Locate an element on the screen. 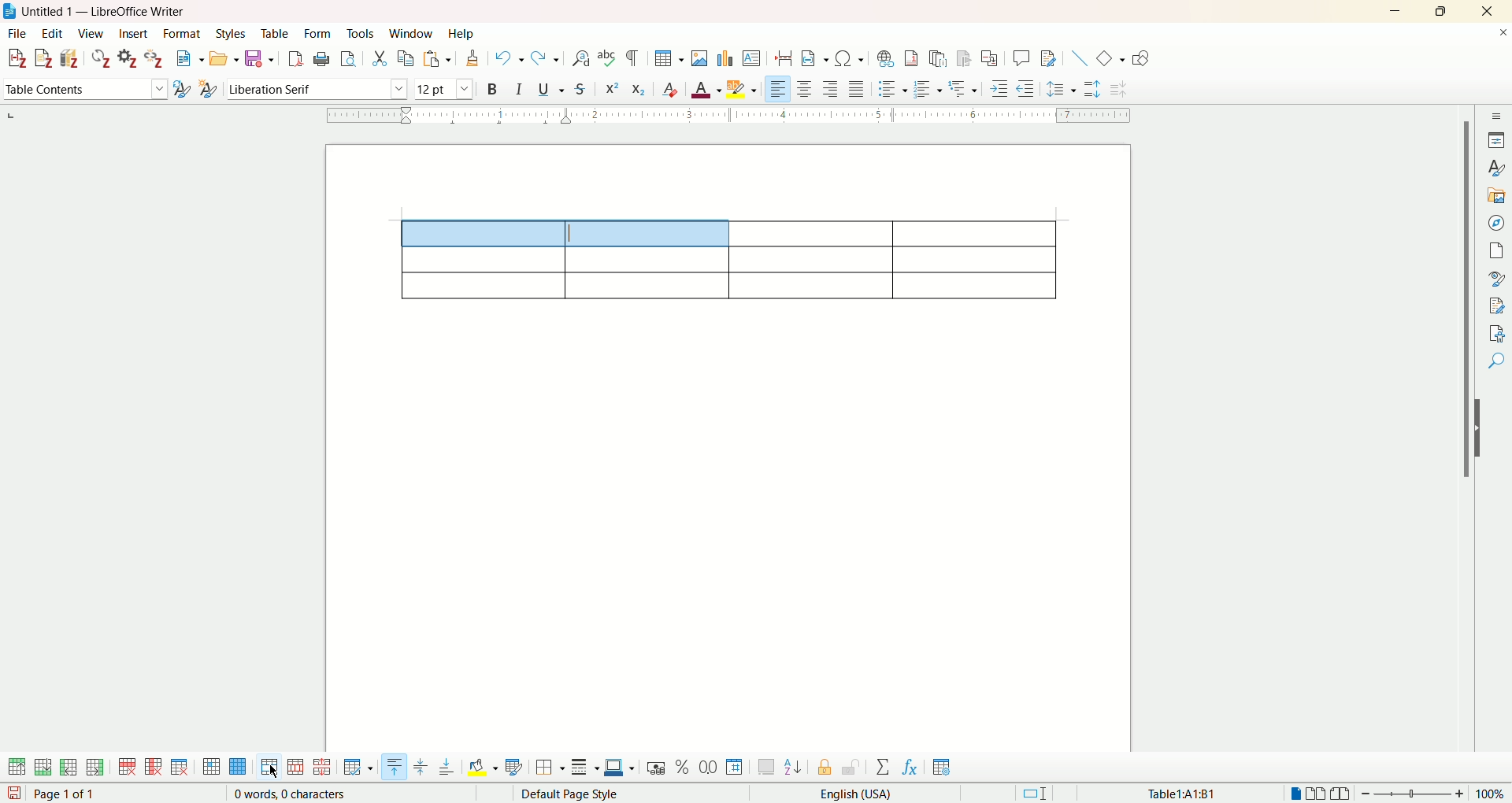 This screenshot has height=803, width=1512. insert formula is located at coordinates (911, 768).